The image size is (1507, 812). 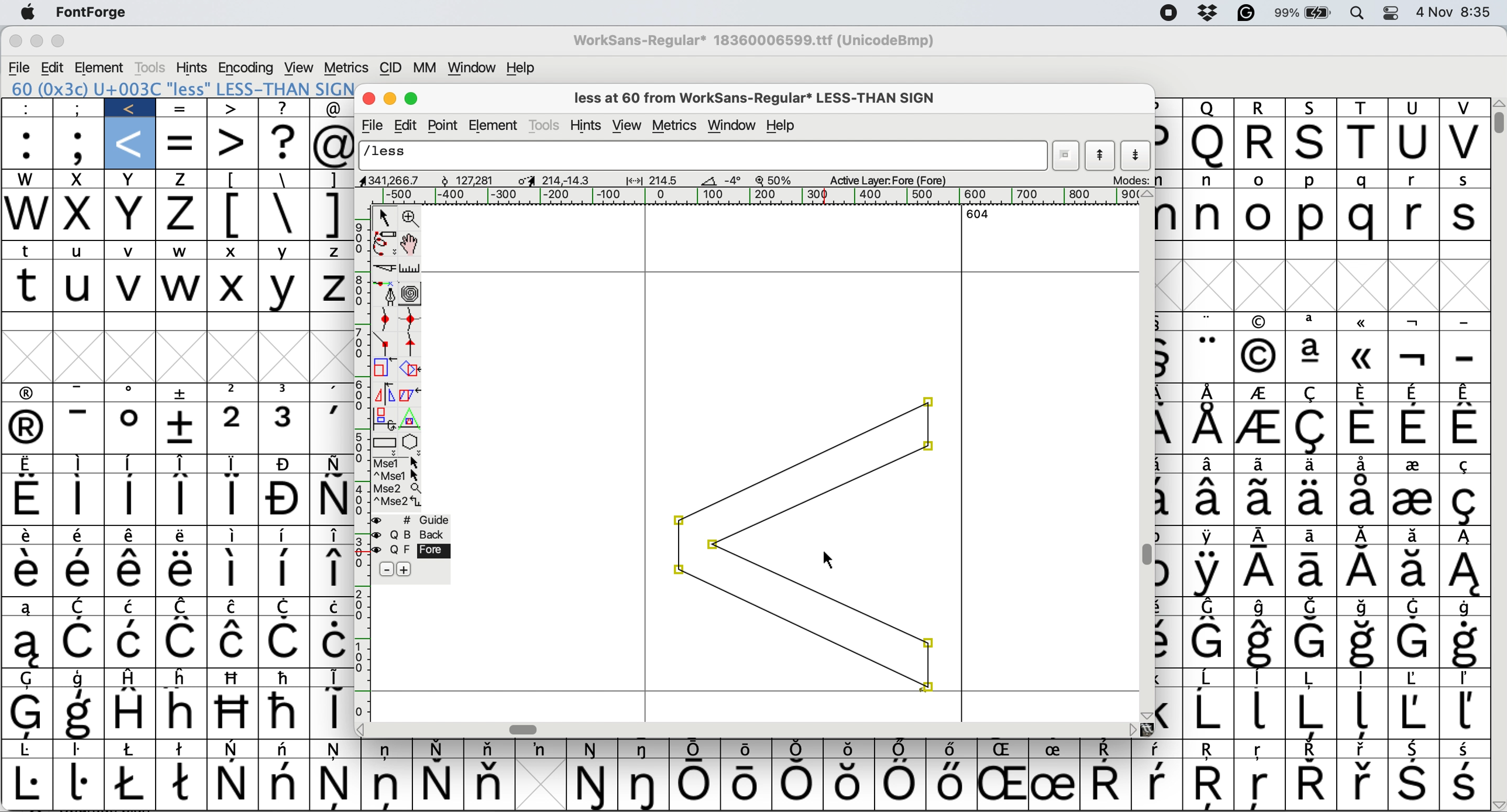 I want to click on Symbol, so click(x=435, y=785).